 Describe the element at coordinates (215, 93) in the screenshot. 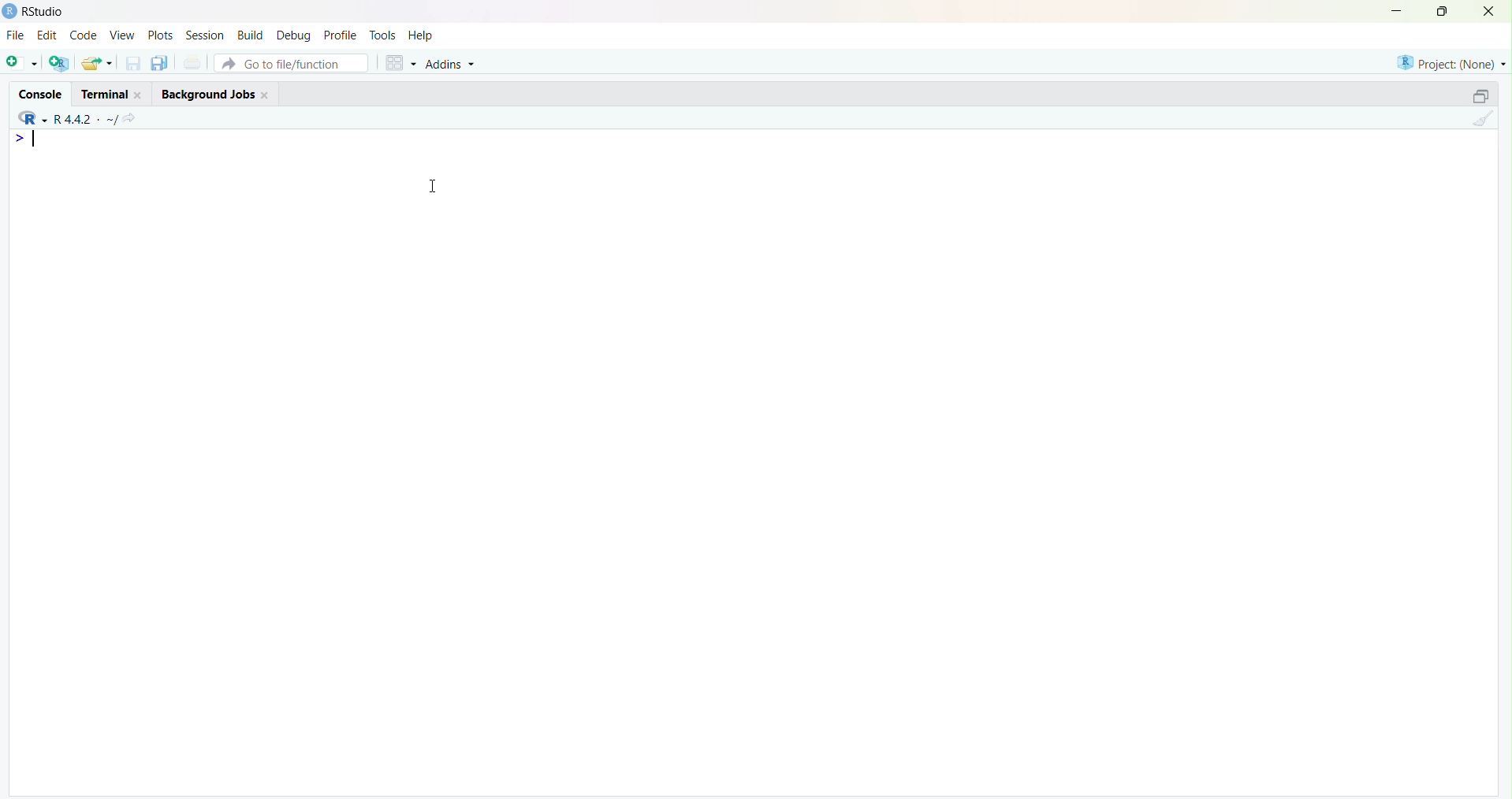

I see `Background Jobs` at that location.